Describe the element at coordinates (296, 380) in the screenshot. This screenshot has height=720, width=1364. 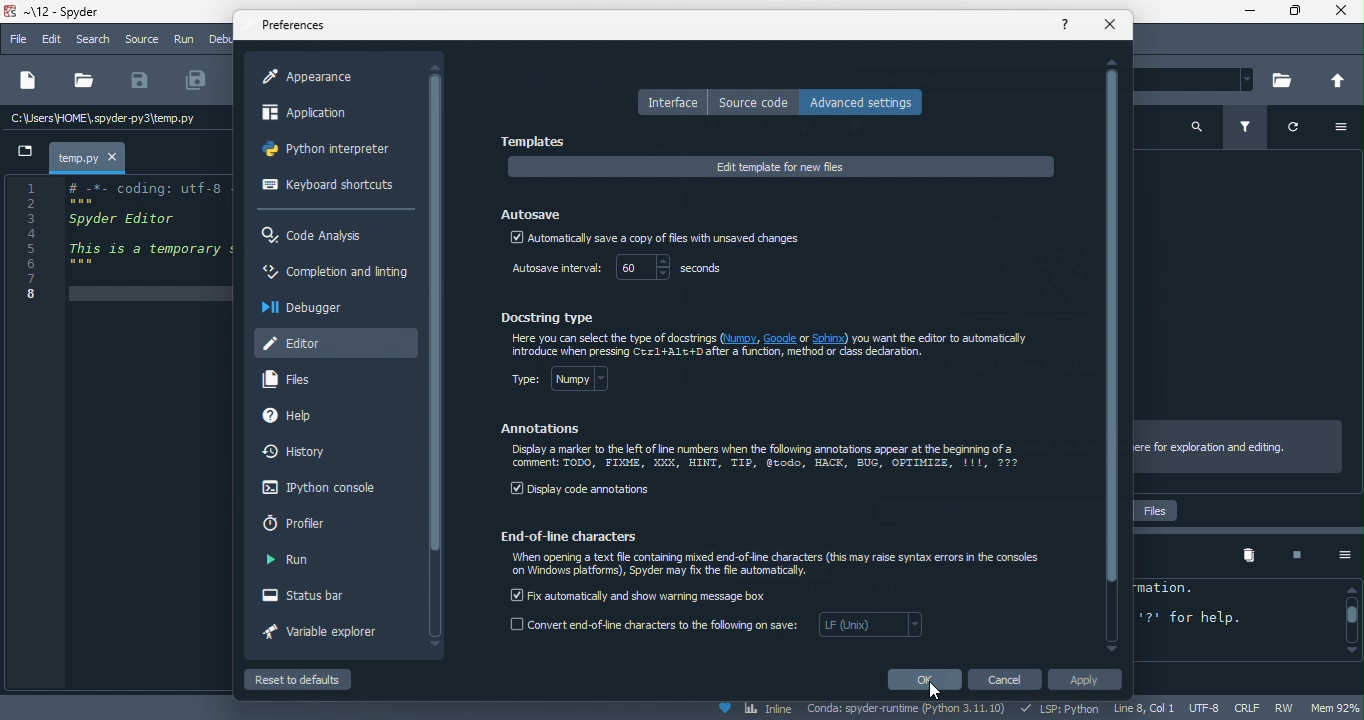
I see `files` at that location.